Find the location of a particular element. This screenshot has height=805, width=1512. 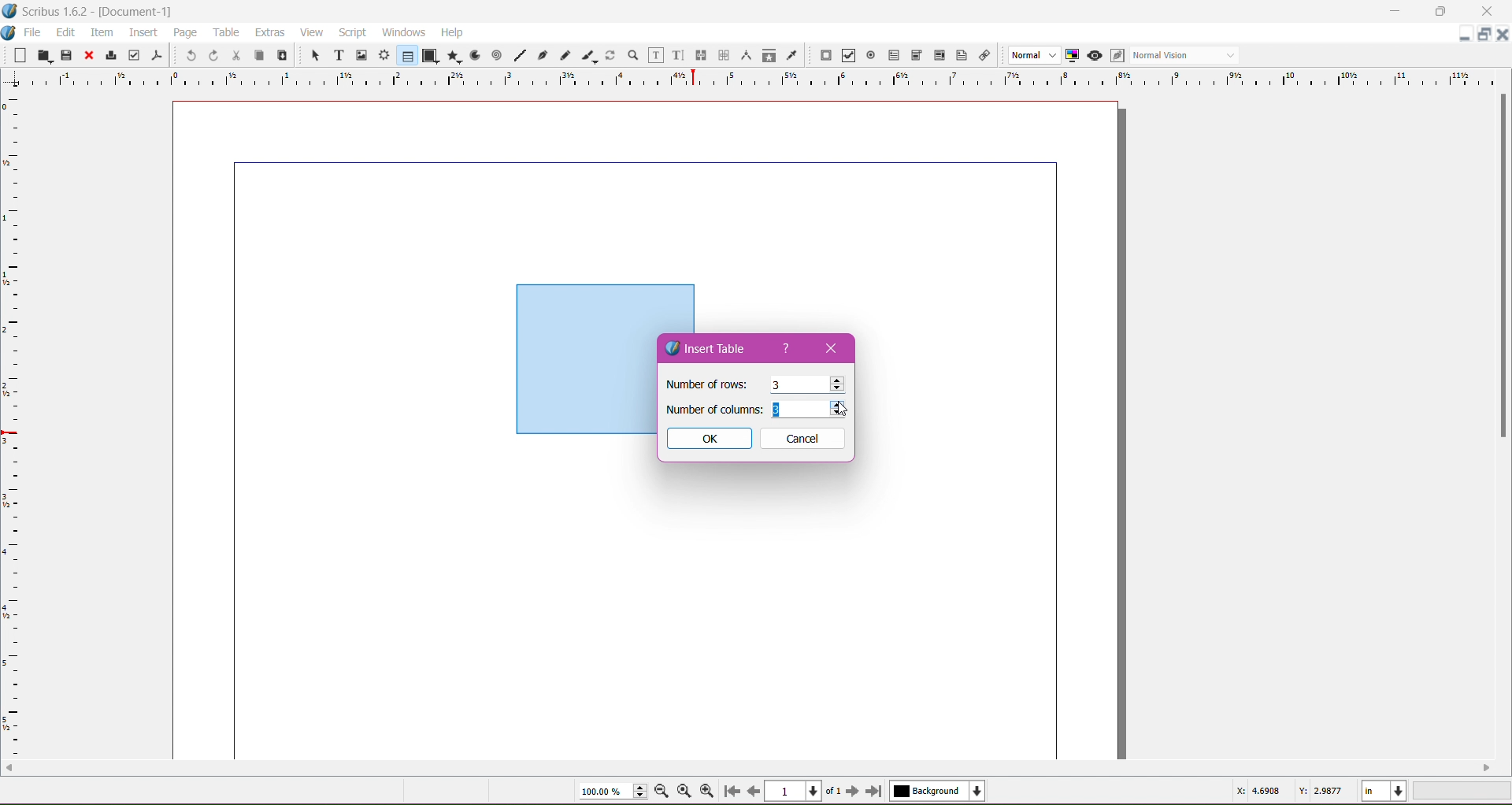

Open is located at coordinates (46, 54).